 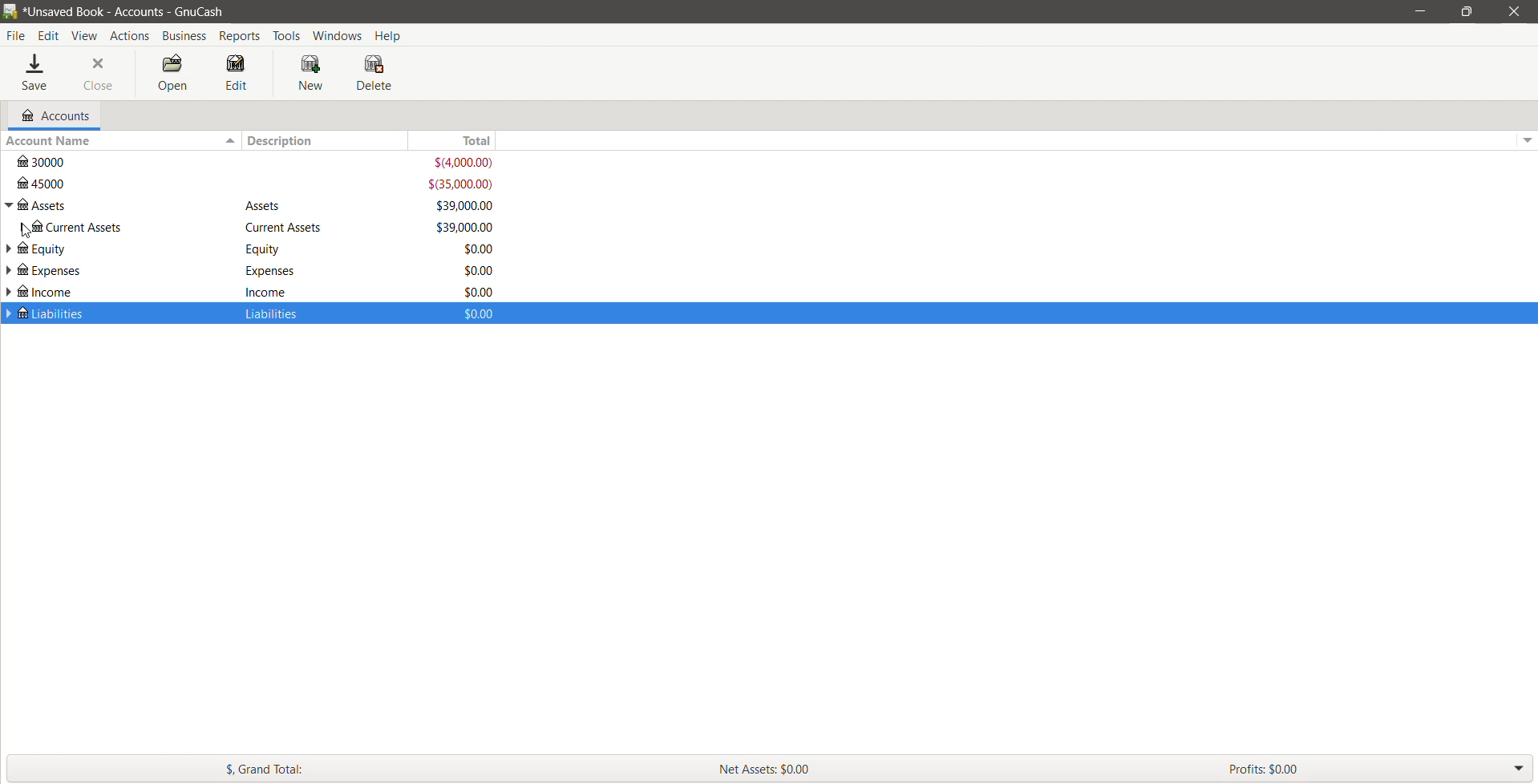 I want to click on Edit, so click(x=237, y=71).